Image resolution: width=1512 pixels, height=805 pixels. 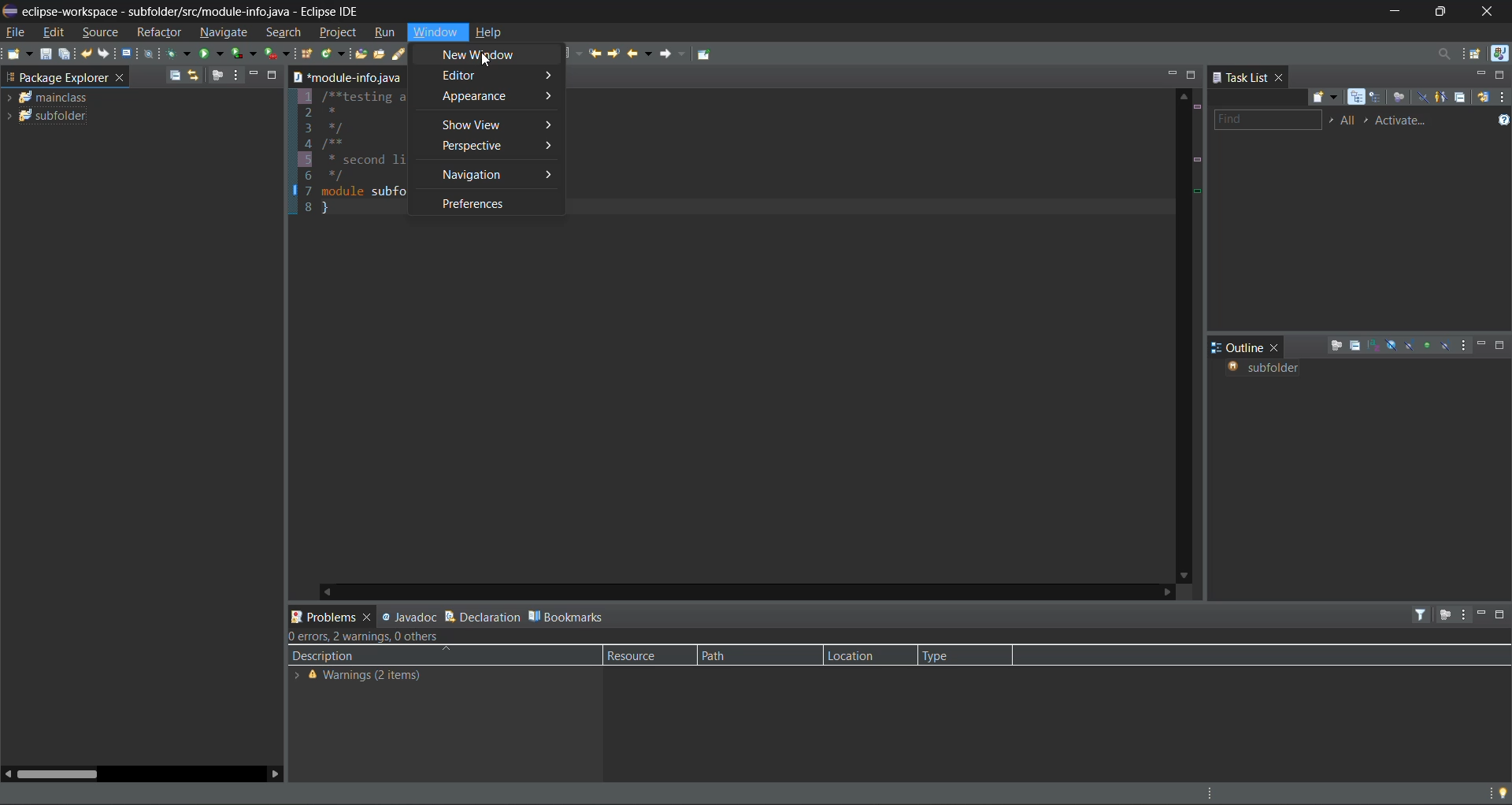 What do you see at coordinates (1503, 77) in the screenshot?
I see `maximize` at bounding box center [1503, 77].